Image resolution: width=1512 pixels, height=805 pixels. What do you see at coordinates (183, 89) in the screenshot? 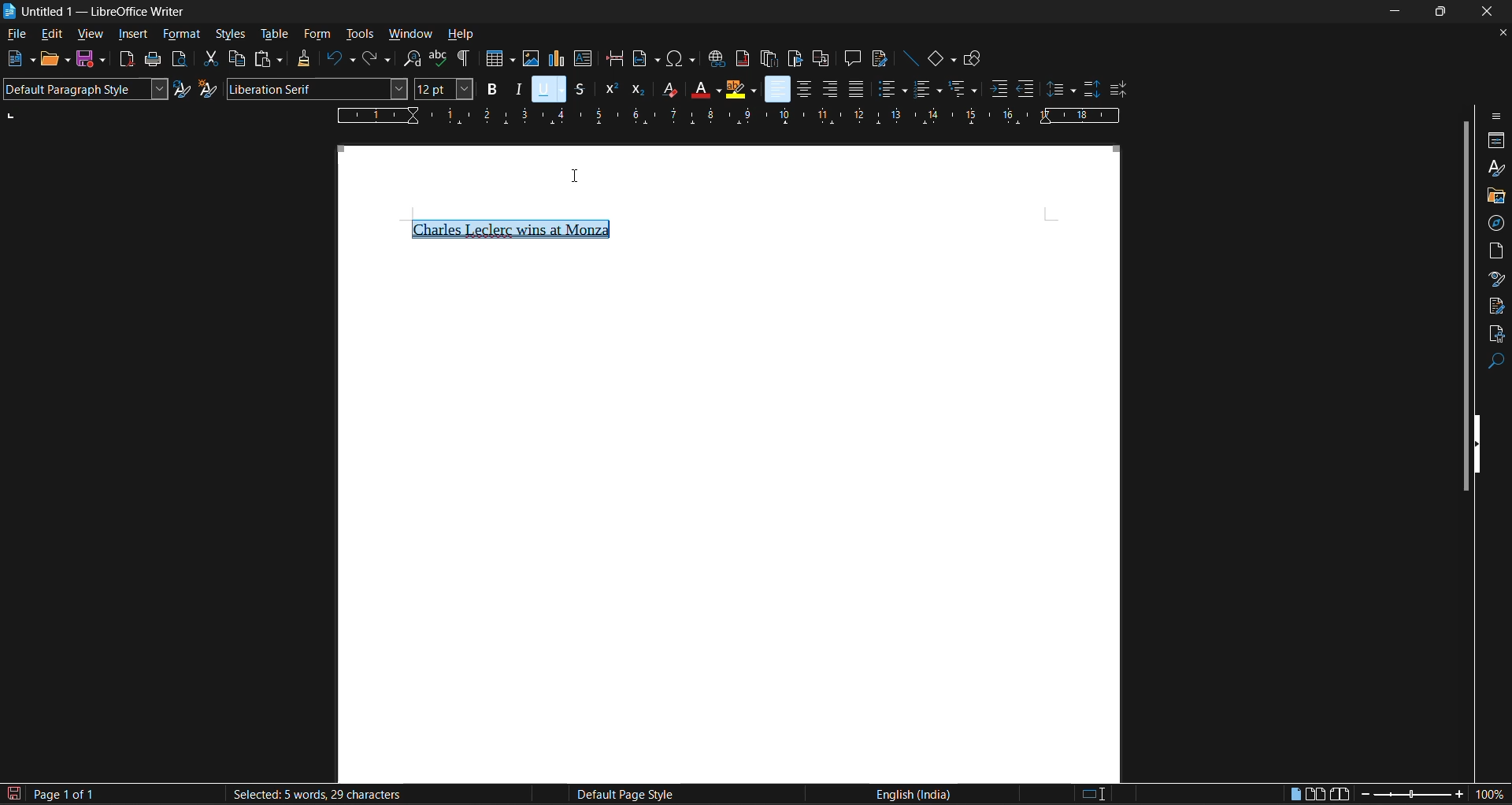
I see `updated selected style` at bounding box center [183, 89].